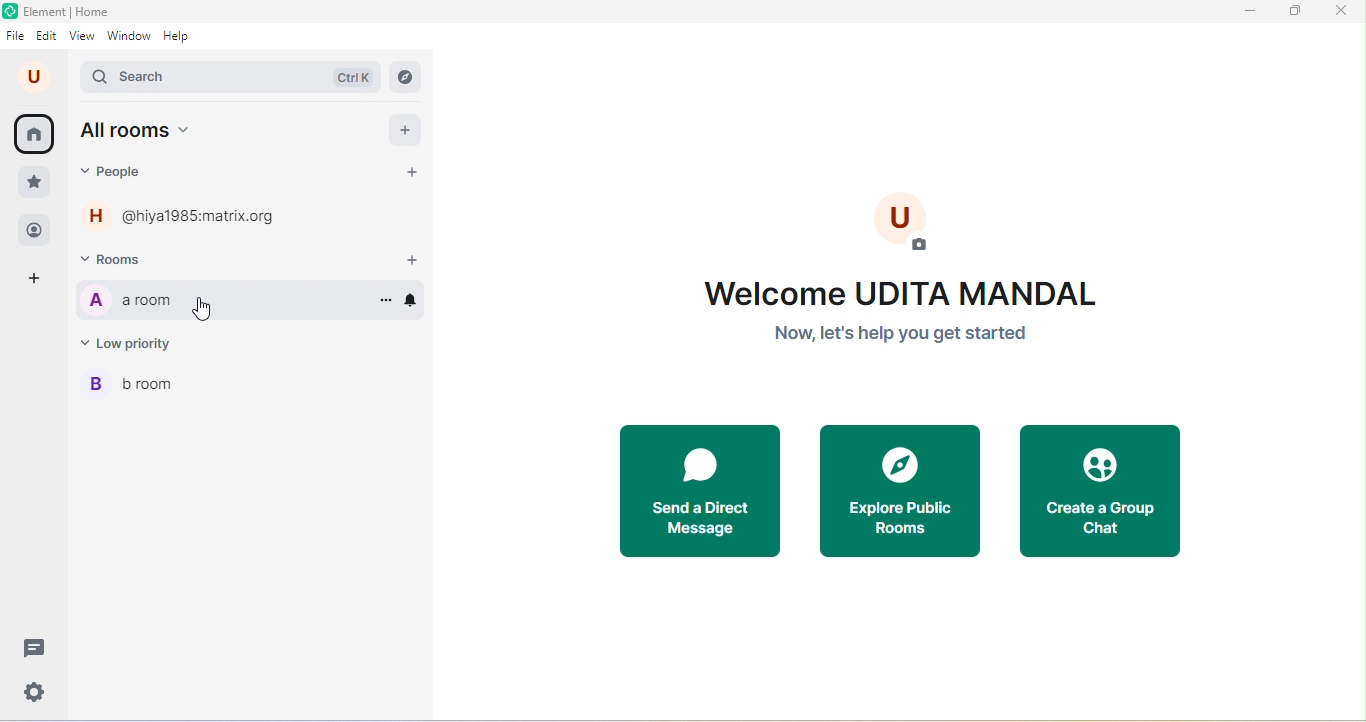 This screenshot has height=722, width=1366. Describe the element at coordinates (136, 382) in the screenshot. I see `b room` at that location.